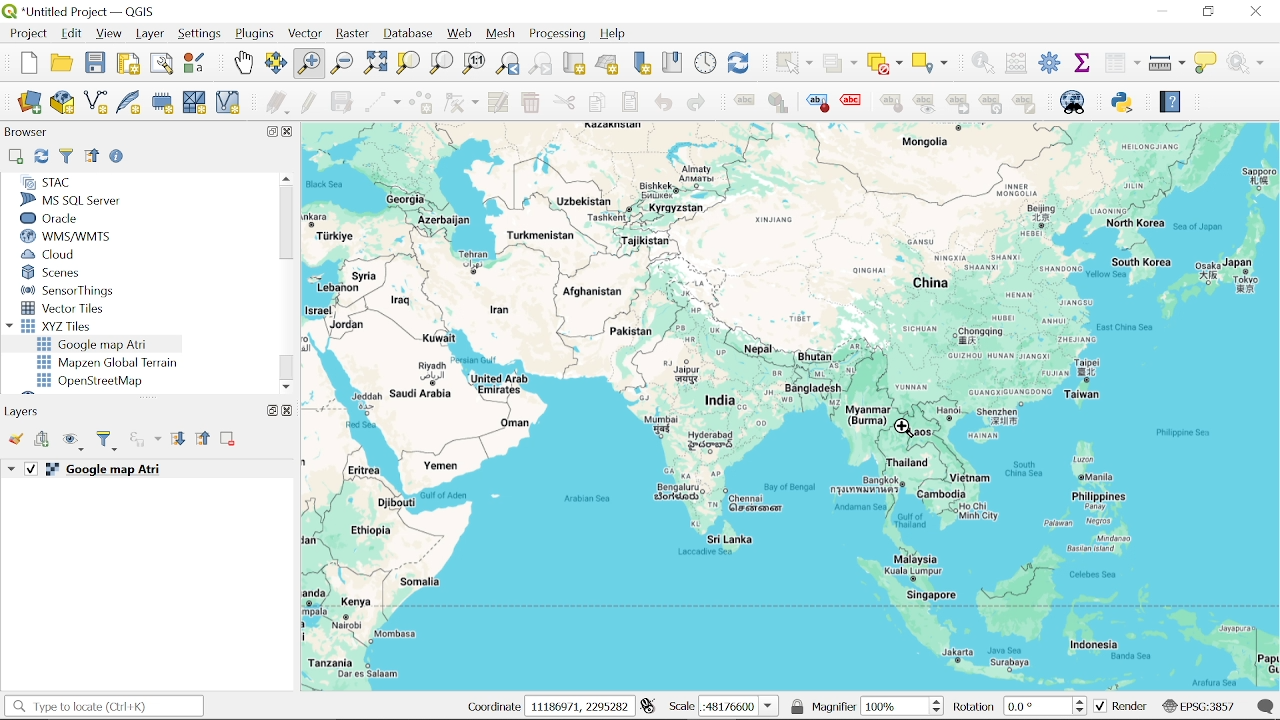 The height and width of the screenshot is (720, 1280). Describe the element at coordinates (854, 101) in the screenshot. I see `Toggle display` at that location.